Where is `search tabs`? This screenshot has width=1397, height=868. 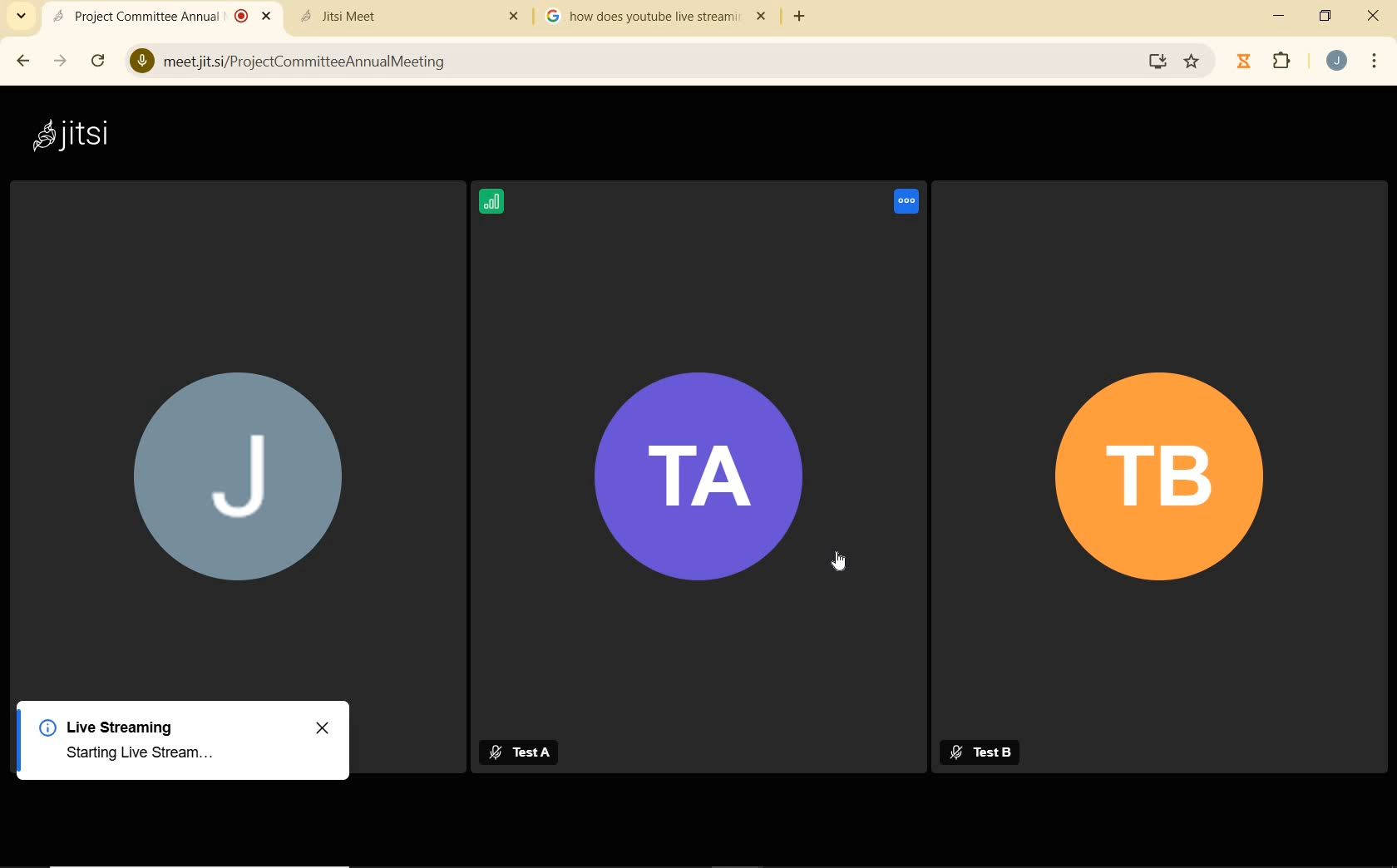
search tabs is located at coordinates (22, 17).